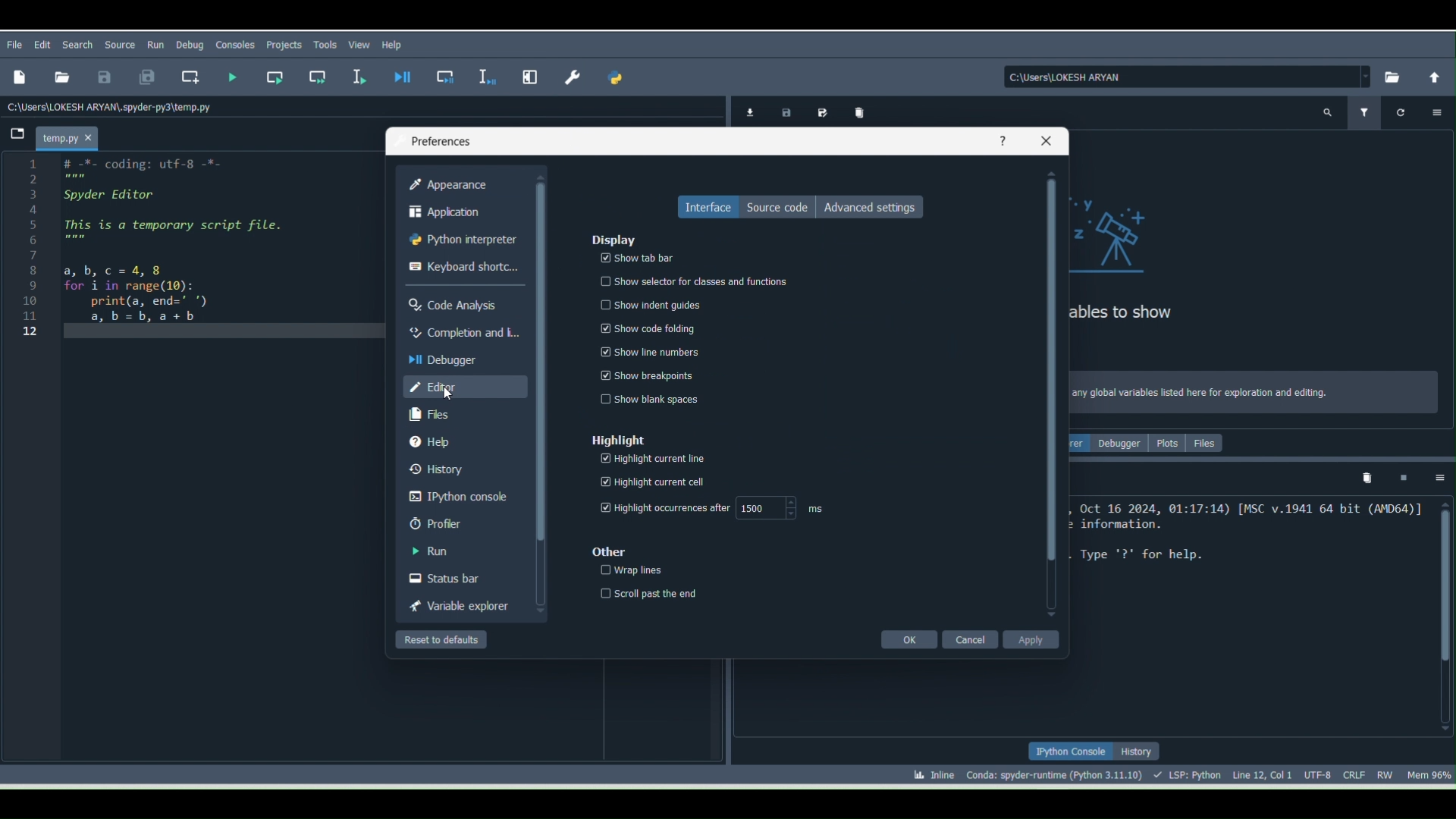  What do you see at coordinates (1389, 76) in the screenshot?
I see `Browse a working directory` at bounding box center [1389, 76].